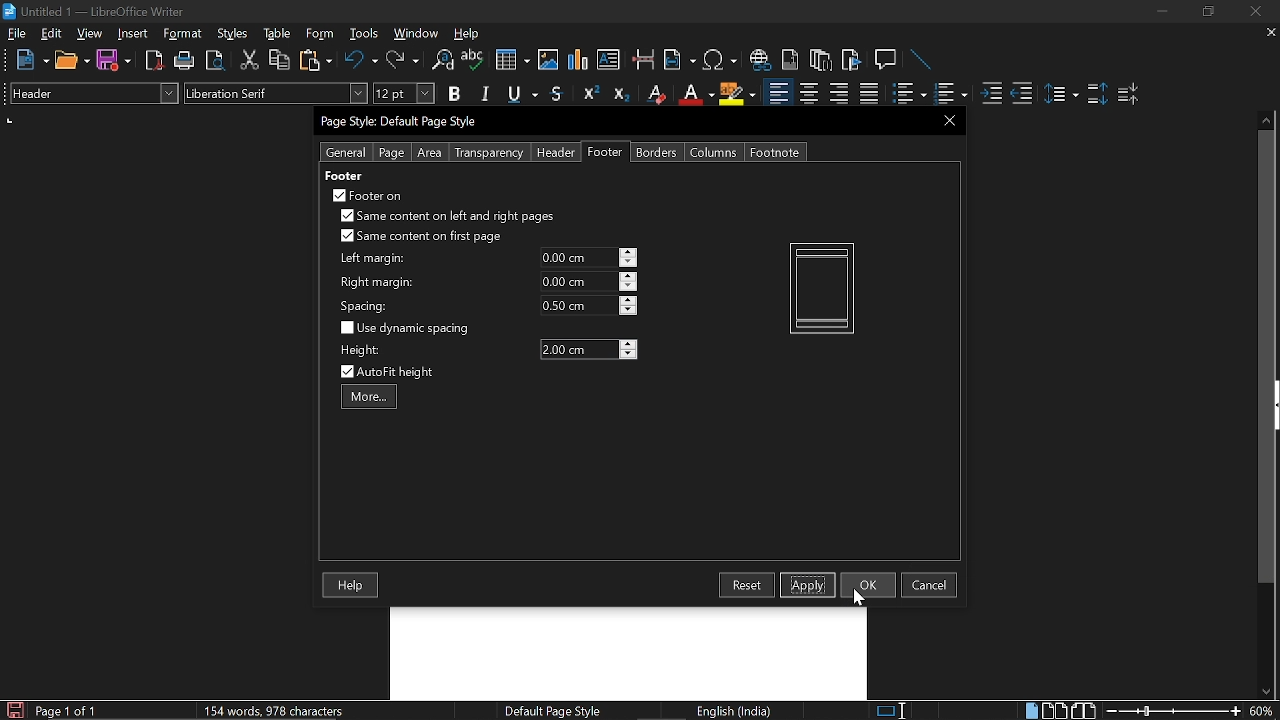 This screenshot has width=1280, height=720. I want to click on Edit, so click(52, 33).